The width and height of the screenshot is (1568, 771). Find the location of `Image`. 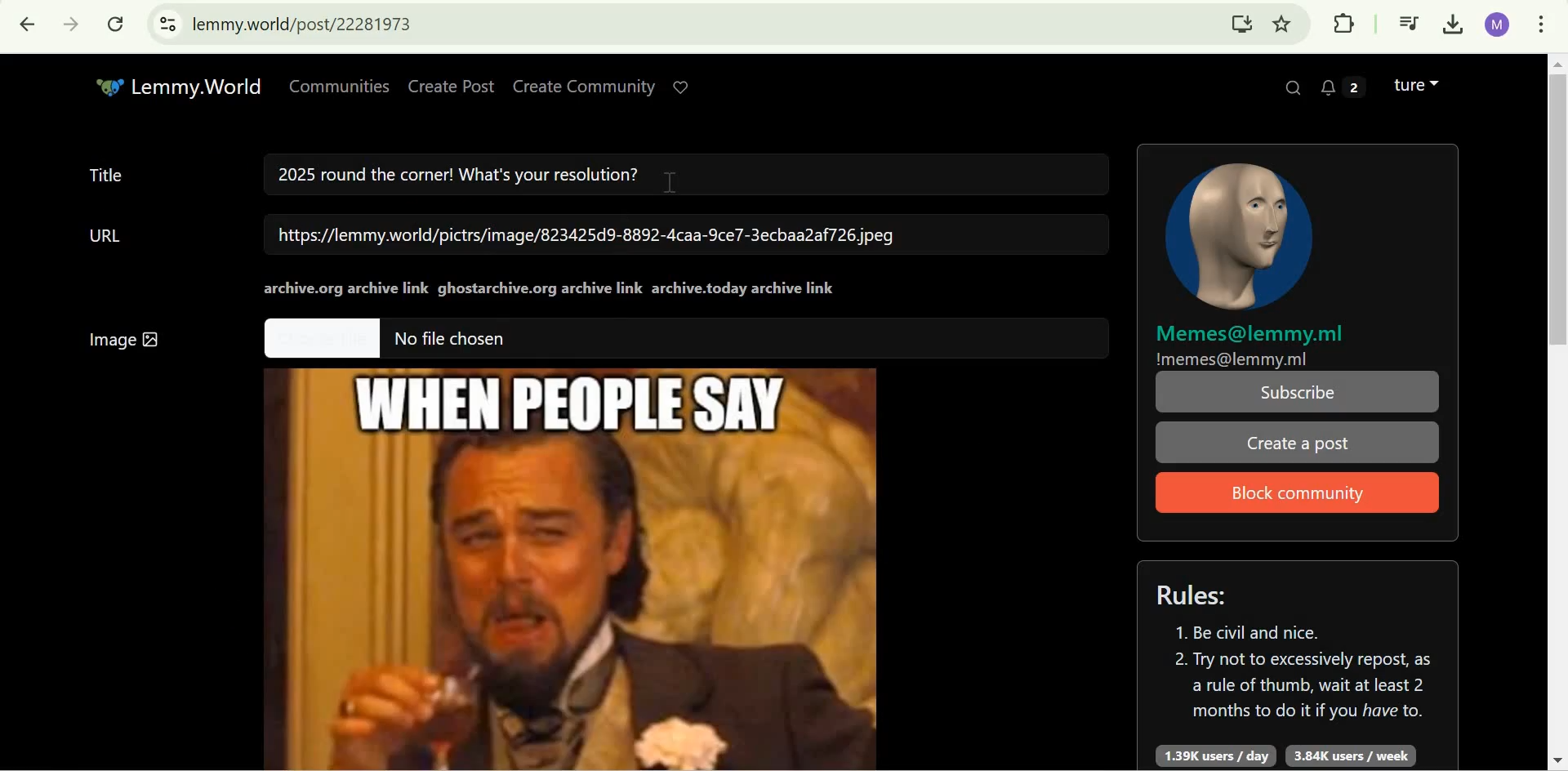

Image is located at coordinates (126, 334).